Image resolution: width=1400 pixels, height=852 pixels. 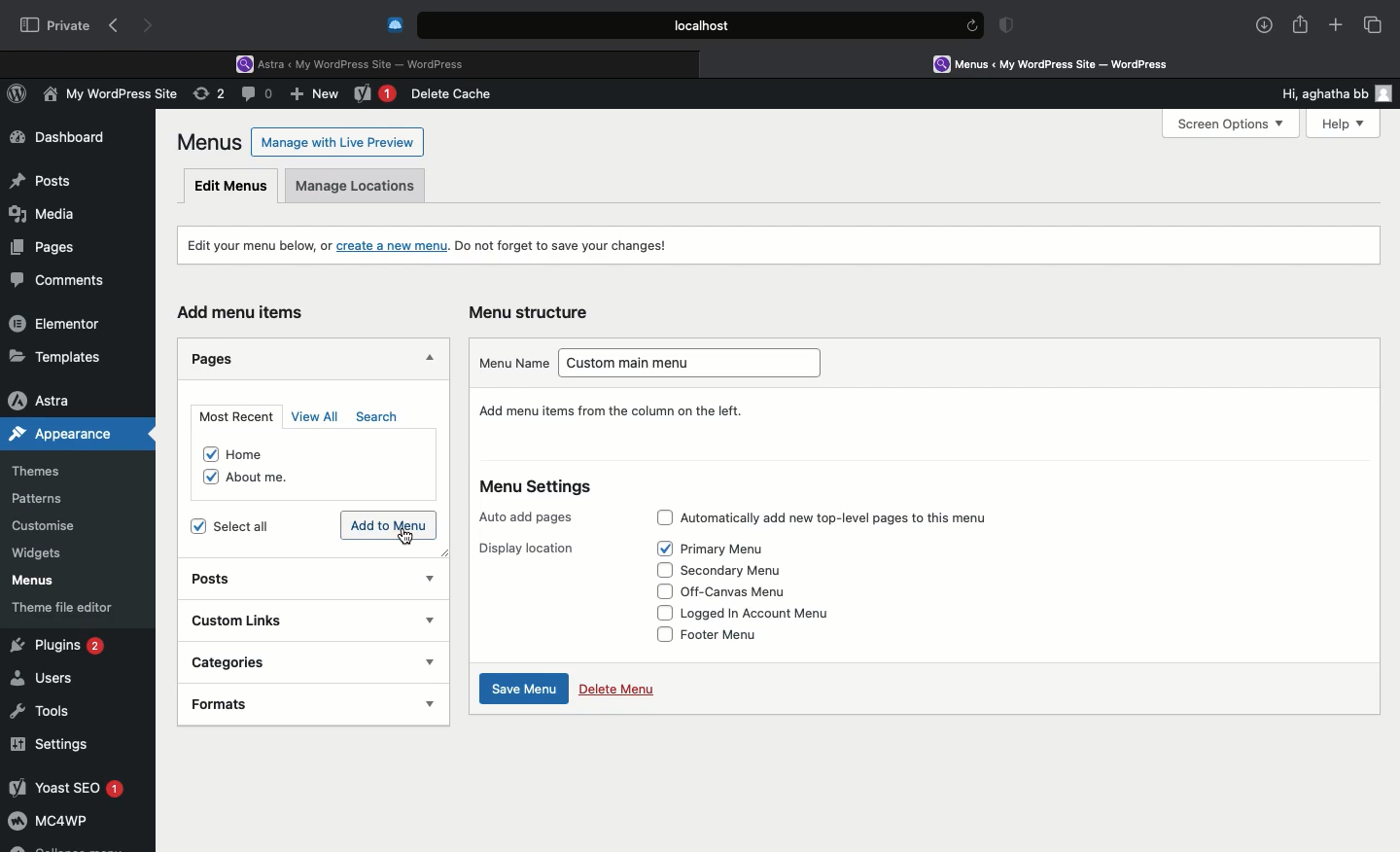 What do you see at coordinates (151, 25) in the screenshot?
I see `Forward` at bounding box center [151, 25].